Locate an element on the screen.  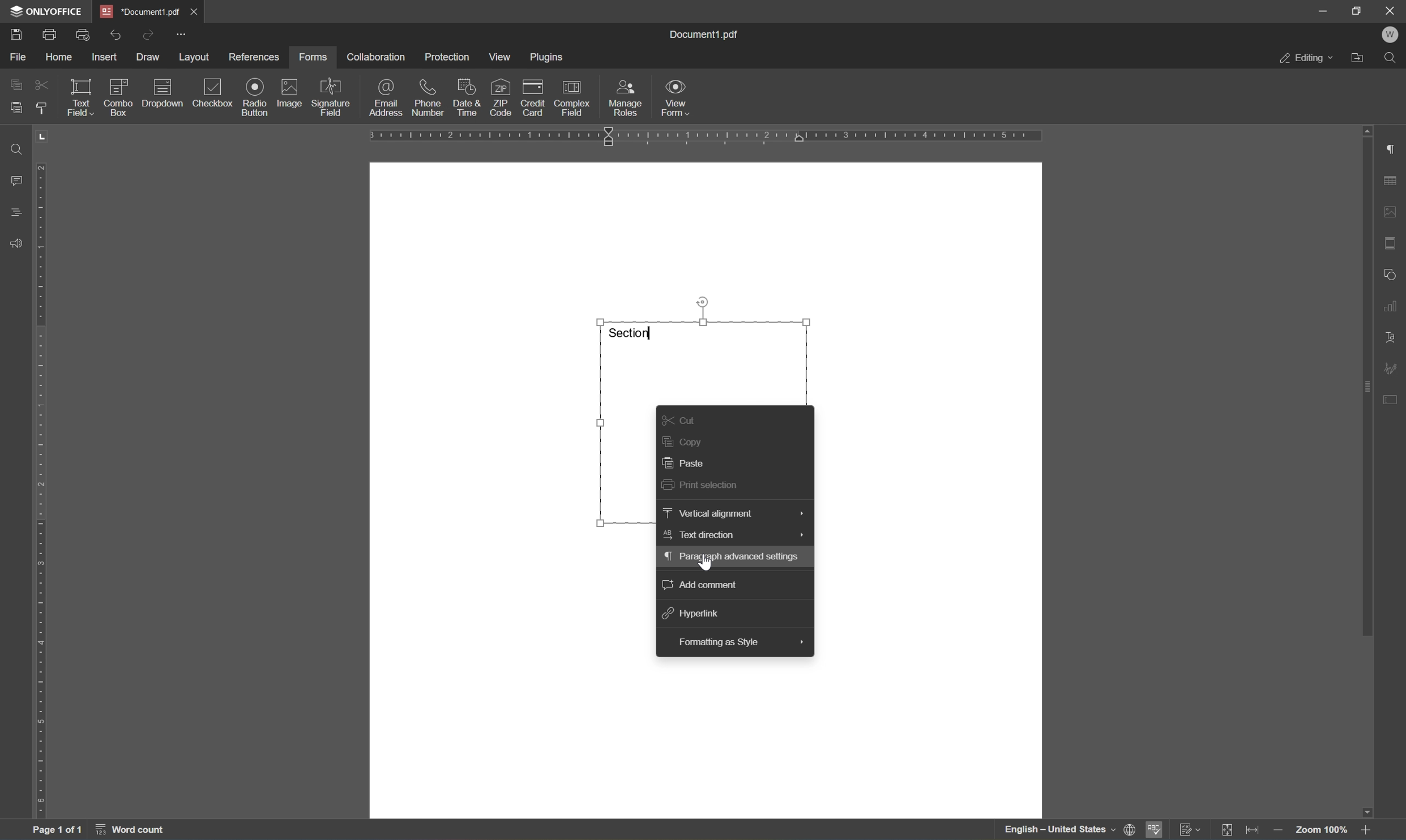
chart settings is located at coordinates (1393, 306).